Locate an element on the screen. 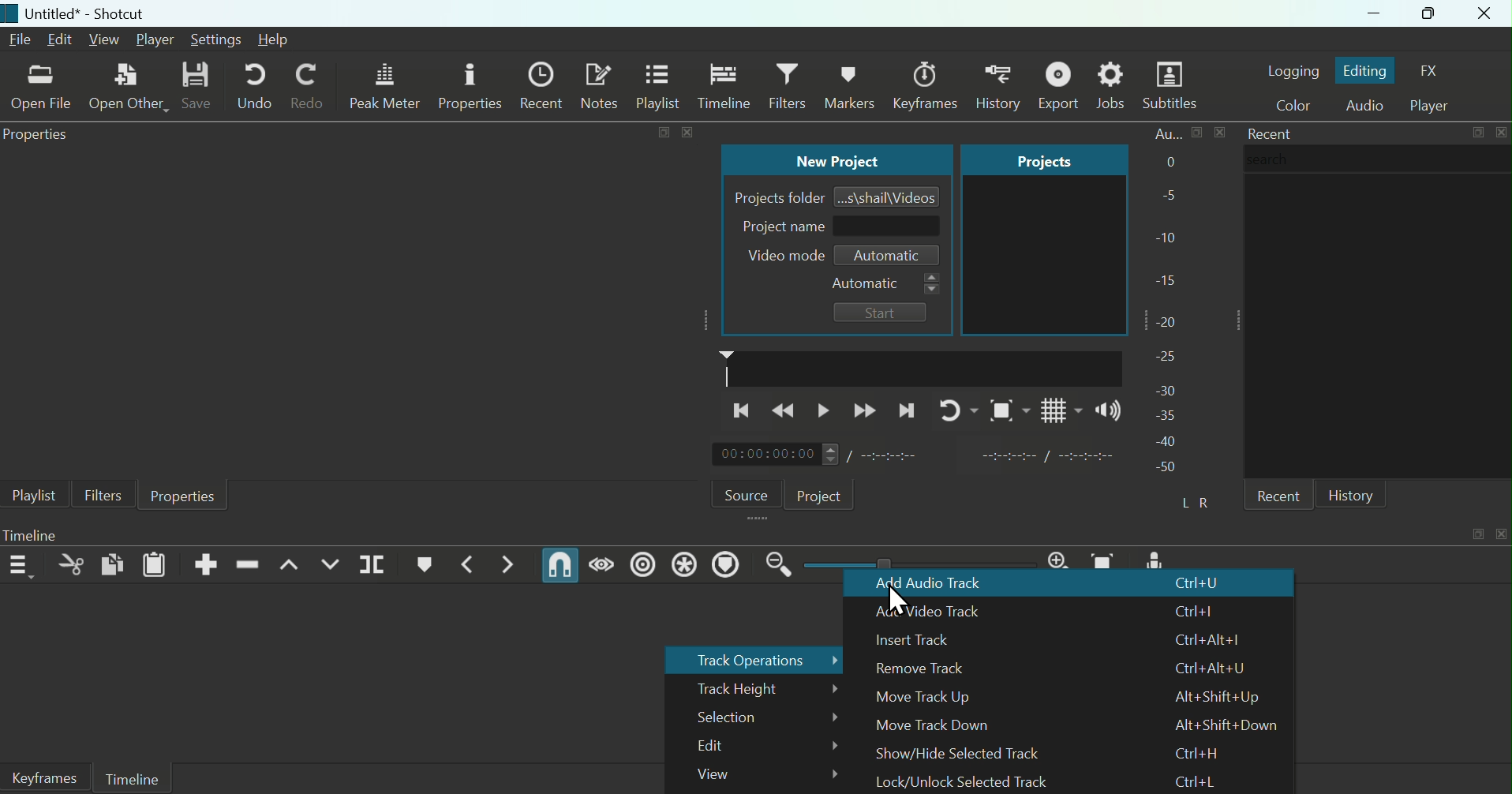 This screenshot has width=1512, height=794. Export is located at coordinates (1062, 85).